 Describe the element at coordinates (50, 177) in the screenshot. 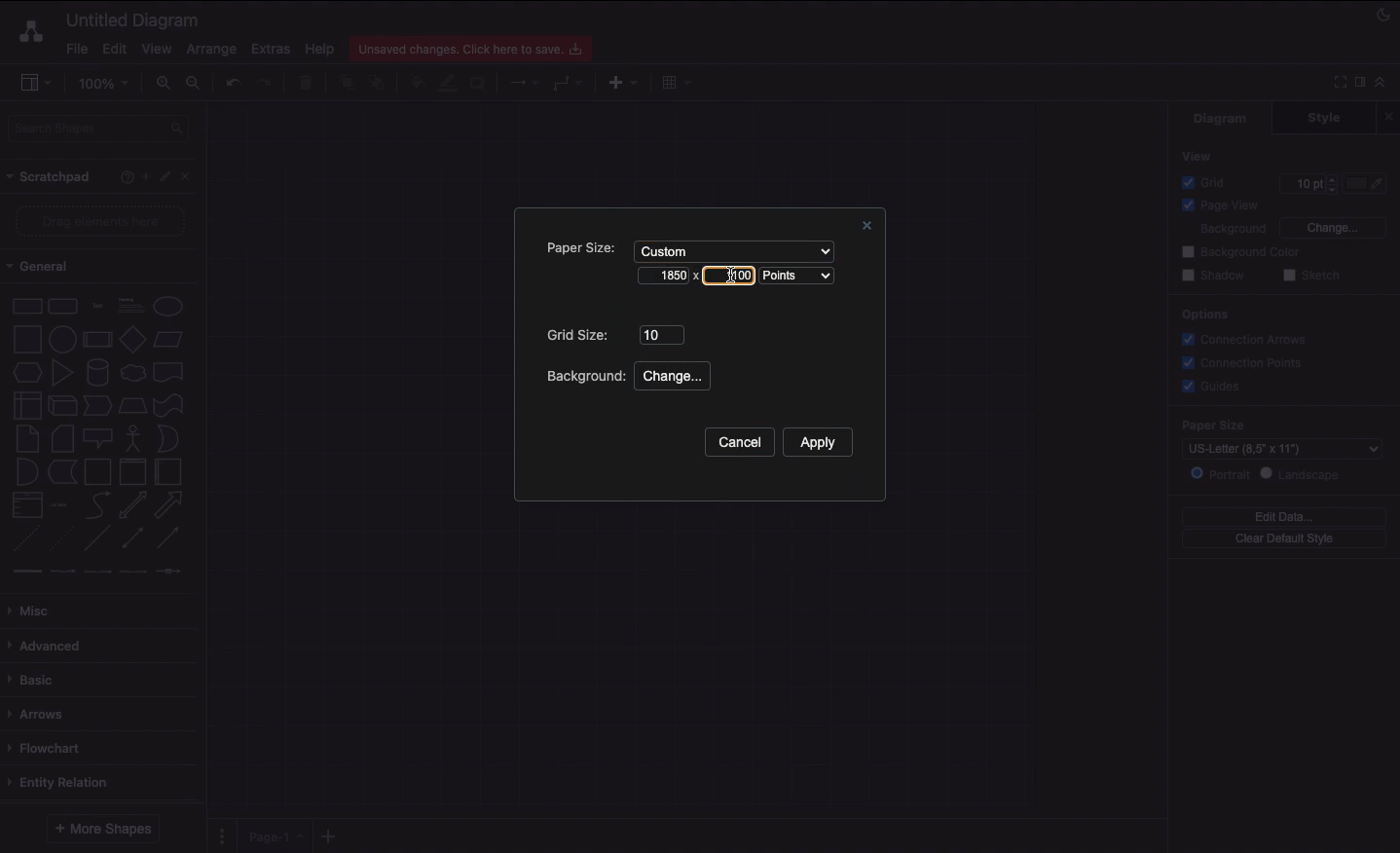

I see `Scrathpad` at that location.